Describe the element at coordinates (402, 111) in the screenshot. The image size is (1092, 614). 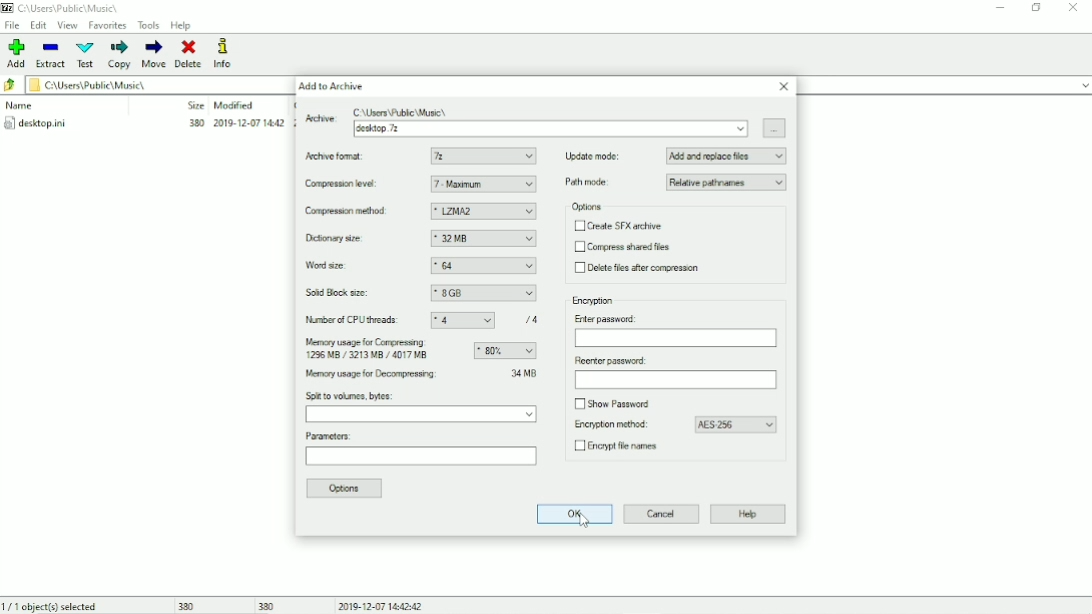
I see `C:\Users Public \Music\` at that location.